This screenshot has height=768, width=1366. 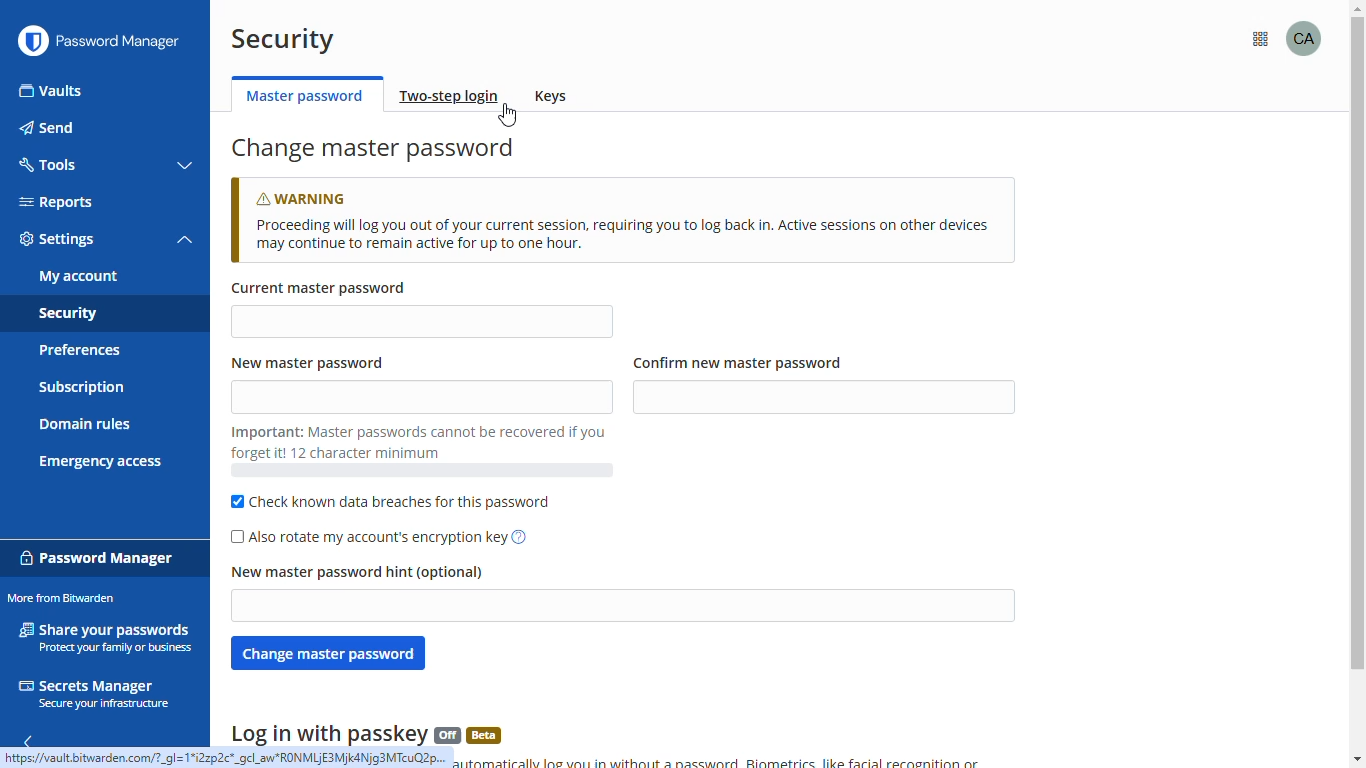 I want to click on hide, so click(x=26, y=737).